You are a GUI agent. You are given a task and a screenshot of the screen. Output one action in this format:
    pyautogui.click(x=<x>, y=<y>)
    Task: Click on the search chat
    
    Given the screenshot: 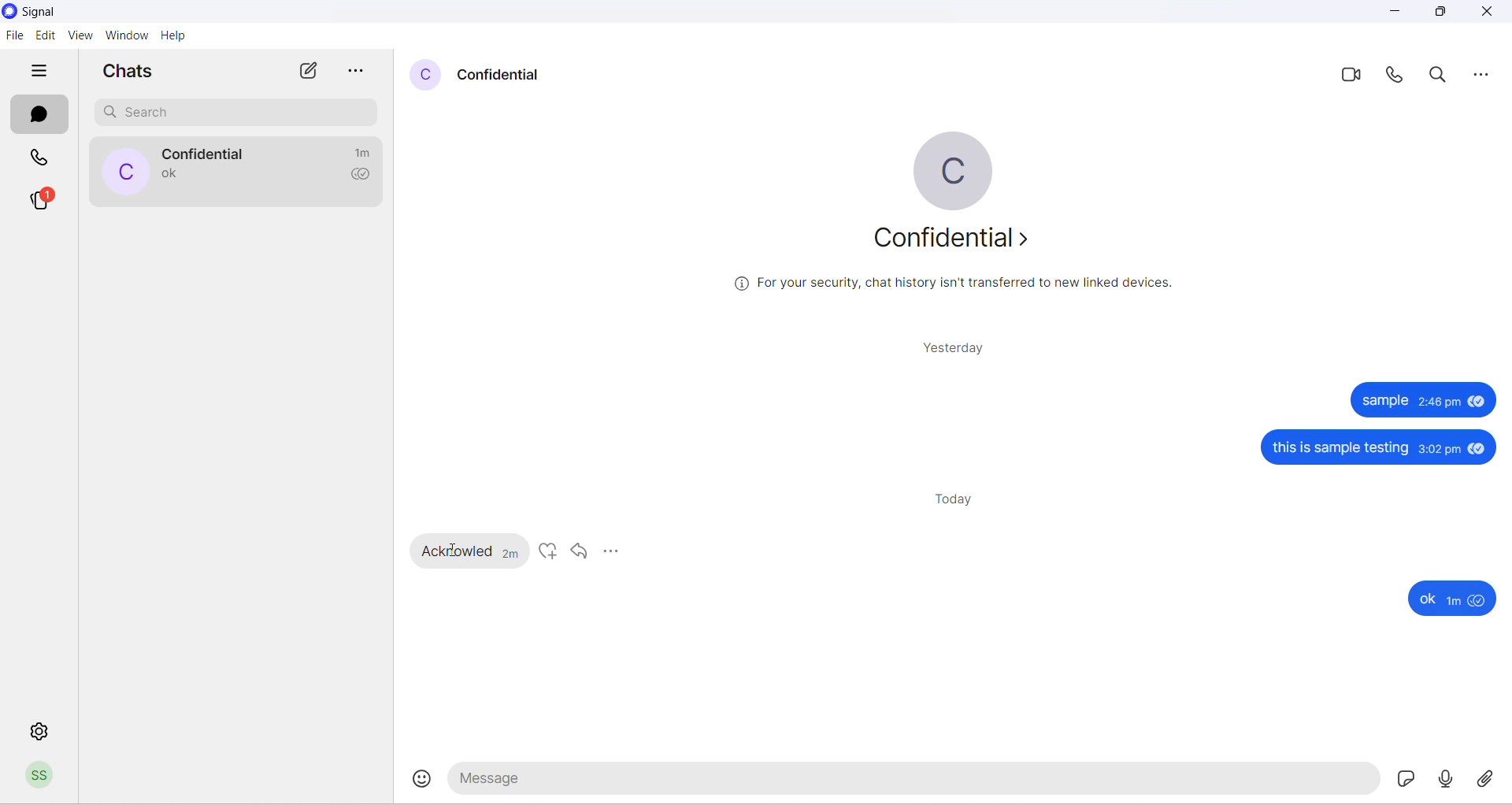 What is the action you would take?
    pyautogui.click(x=232, y=113)
    